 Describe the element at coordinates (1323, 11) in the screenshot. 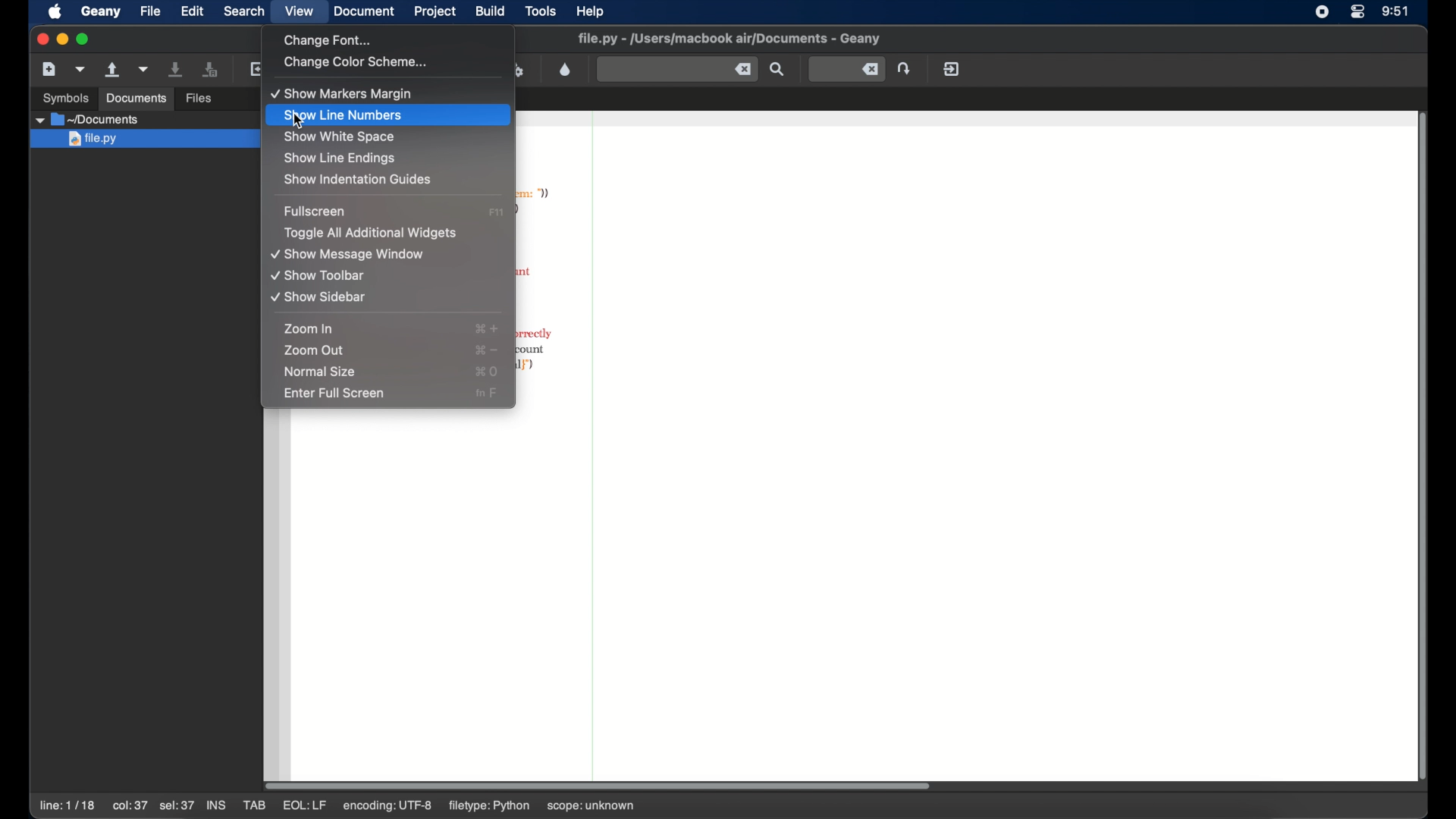

I see `screen recorder icon` at that location.